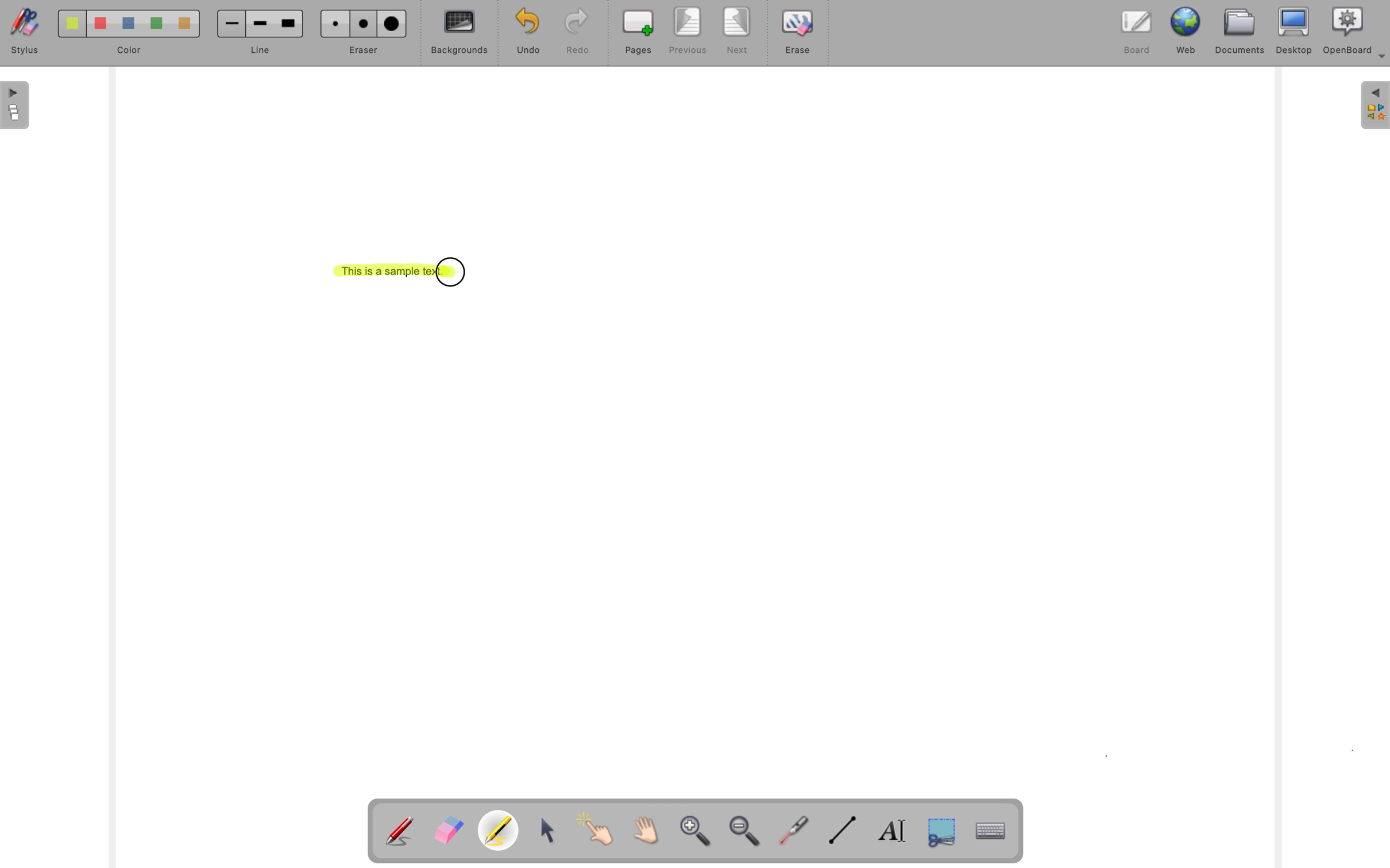 The height and width of the screenshot is (868, 1390). What do you see at coordinates (261, 51) in the screenshot?
I see `line` at bounding box center [261, 51].